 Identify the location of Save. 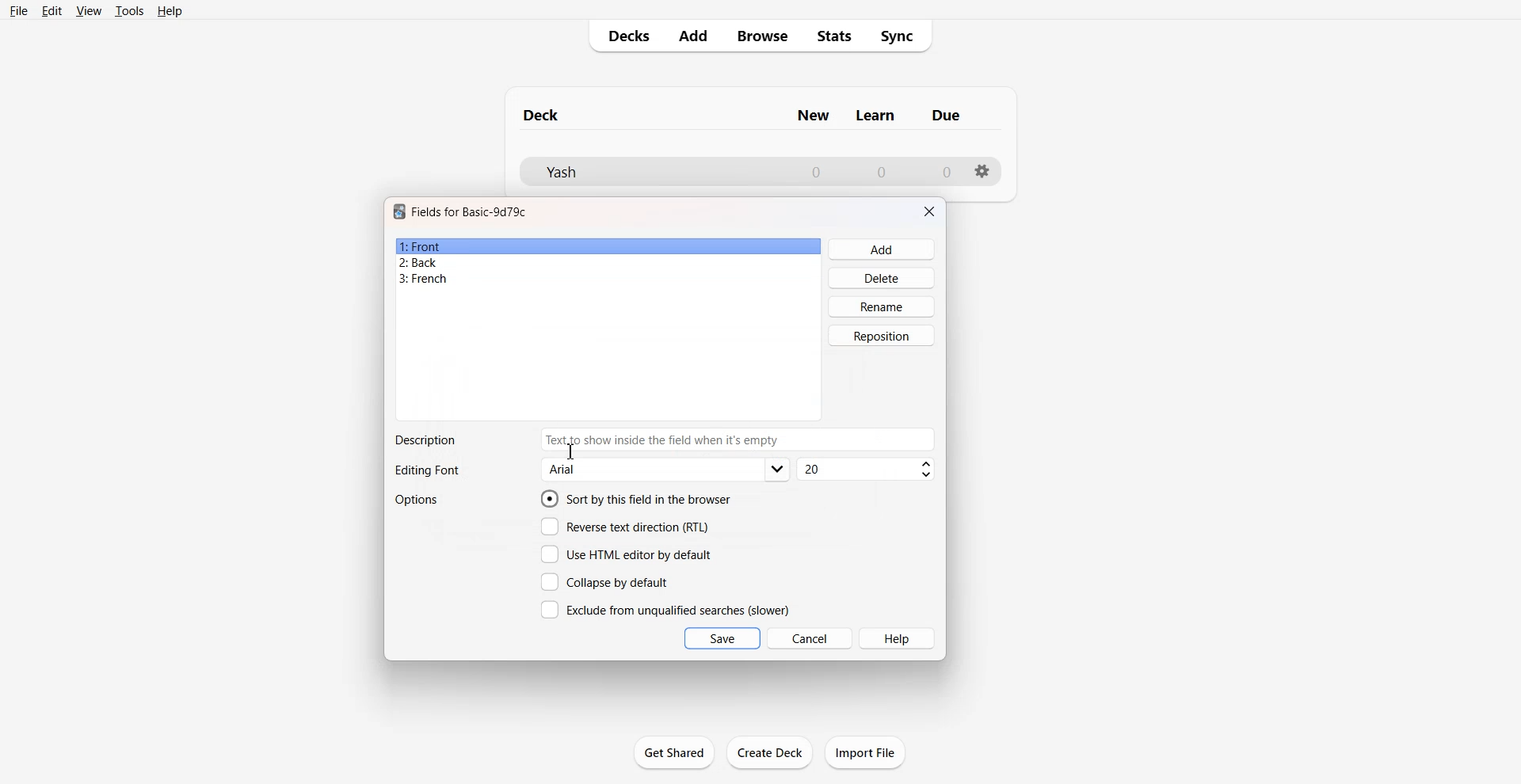
(722, 638).